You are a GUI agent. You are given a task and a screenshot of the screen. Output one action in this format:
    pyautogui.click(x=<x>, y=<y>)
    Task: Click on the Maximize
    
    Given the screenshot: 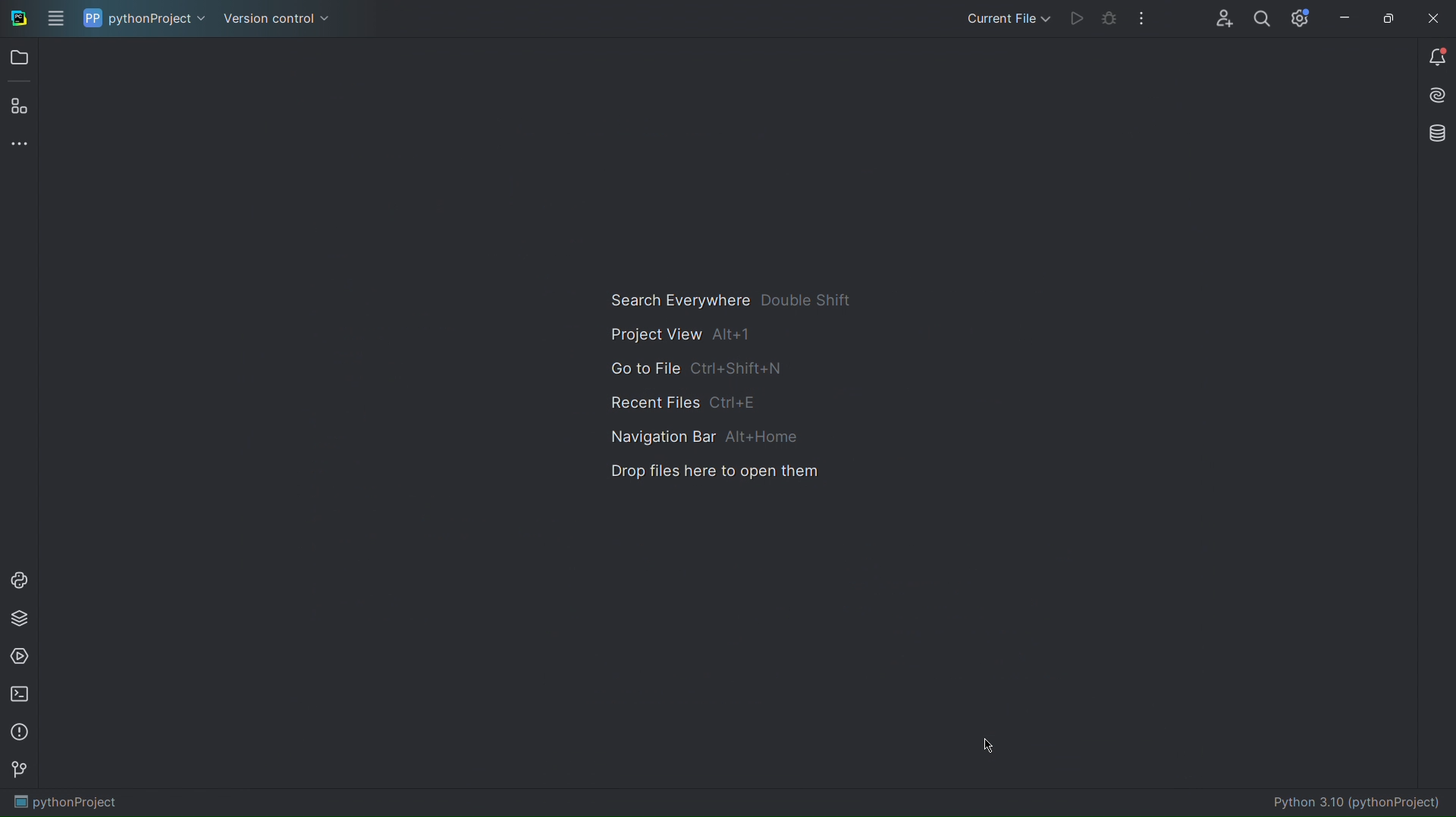 What is the action you would take?
    pyautogui.click(x=1388, y=17)
    